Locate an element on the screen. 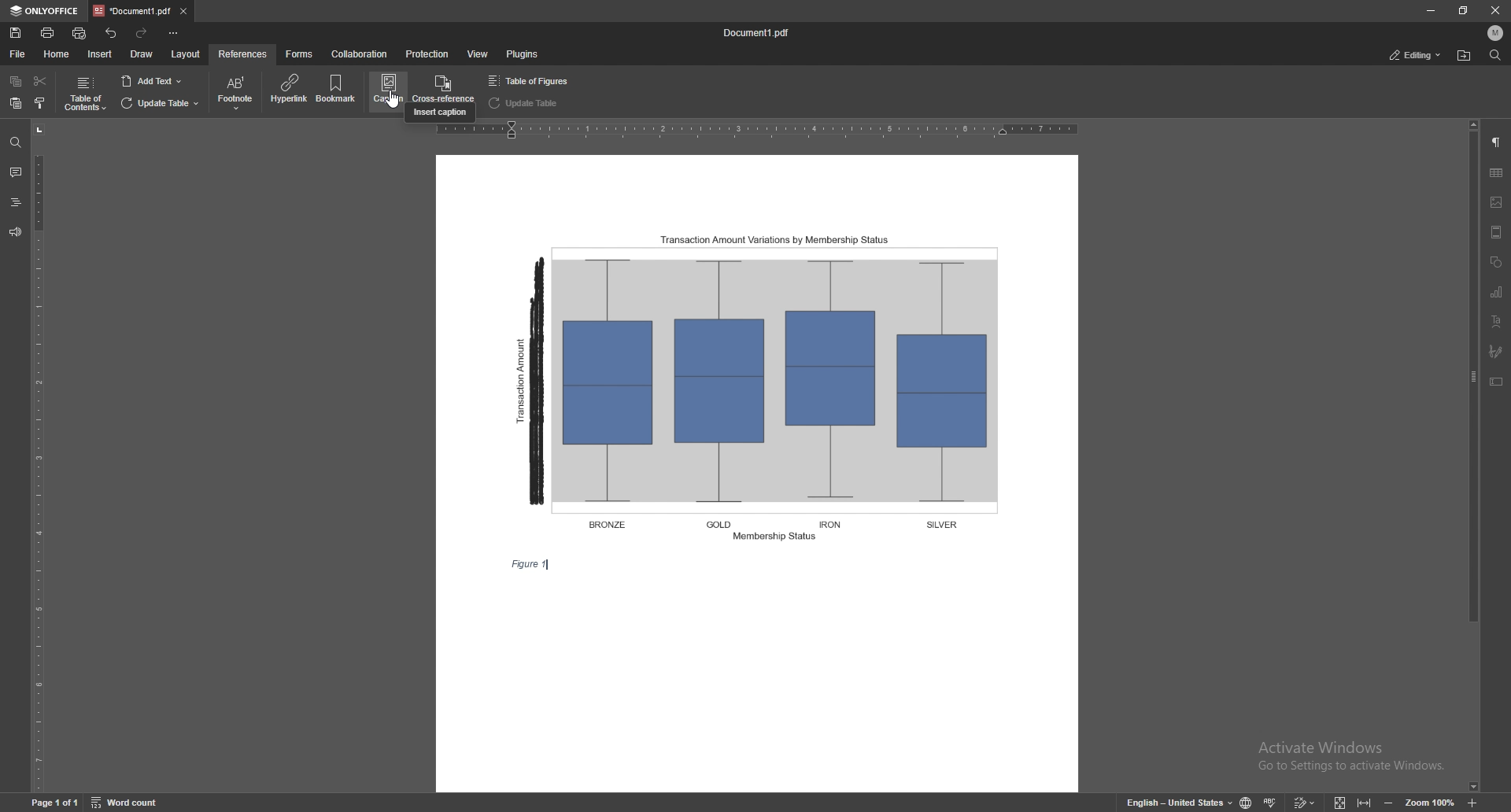 The width and height of the screenshot is (1511, 812). draw is located at coordinates (142, 54).